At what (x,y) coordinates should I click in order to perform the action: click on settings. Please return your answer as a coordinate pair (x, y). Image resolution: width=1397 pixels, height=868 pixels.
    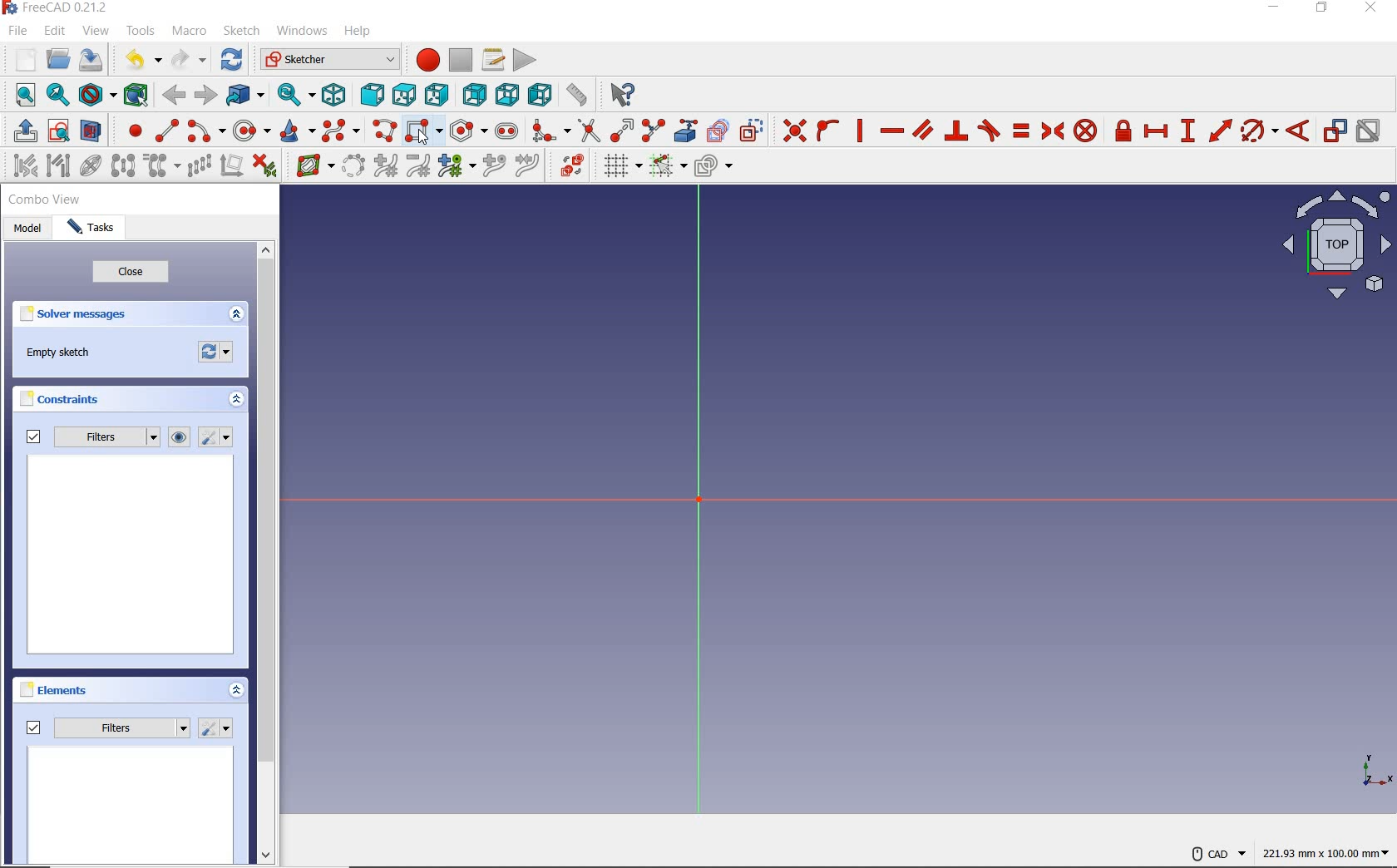
    Looking at the image, I should click on (217, 728).